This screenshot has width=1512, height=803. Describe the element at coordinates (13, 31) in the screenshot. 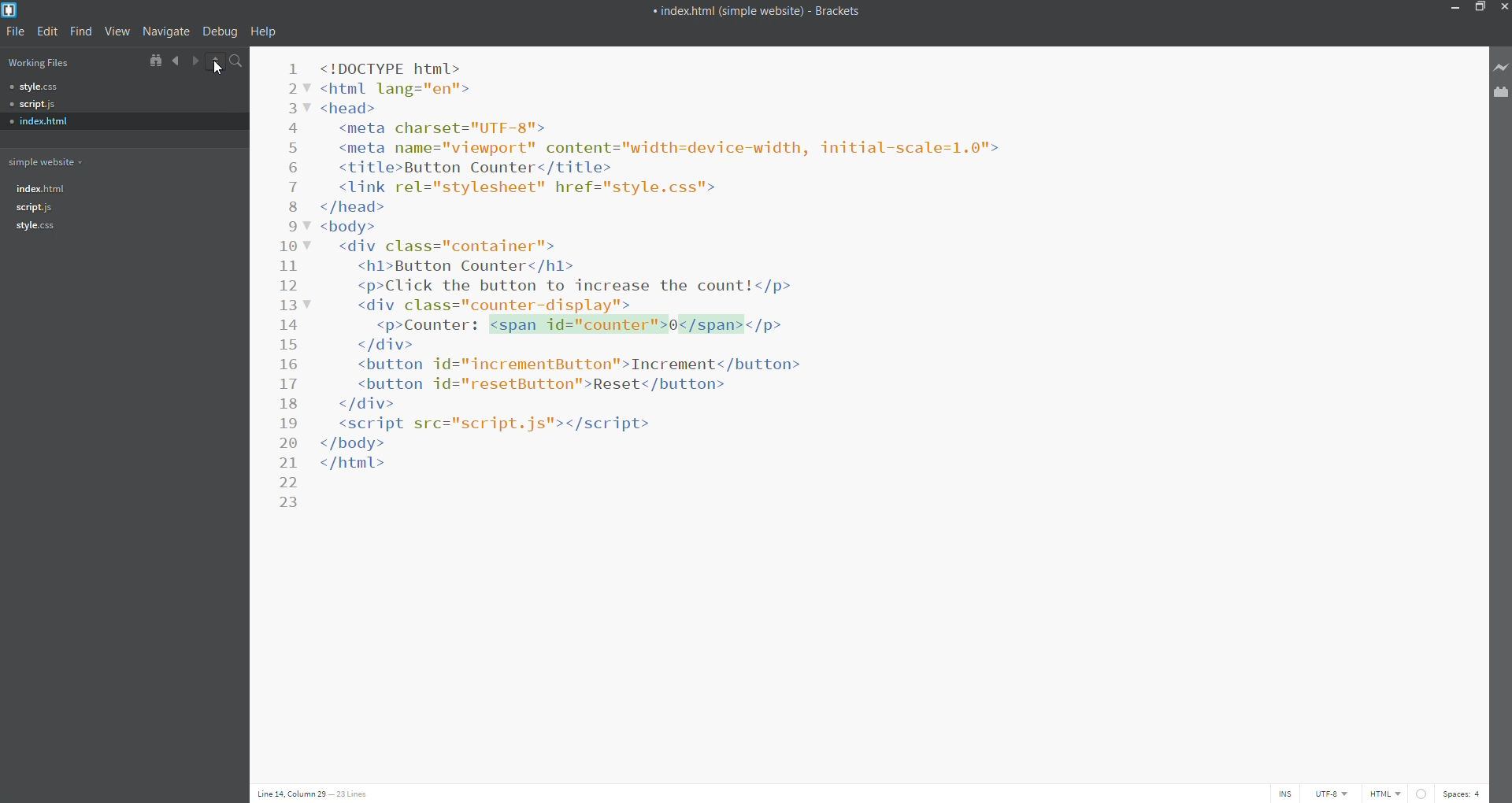

I see `file` at that location.